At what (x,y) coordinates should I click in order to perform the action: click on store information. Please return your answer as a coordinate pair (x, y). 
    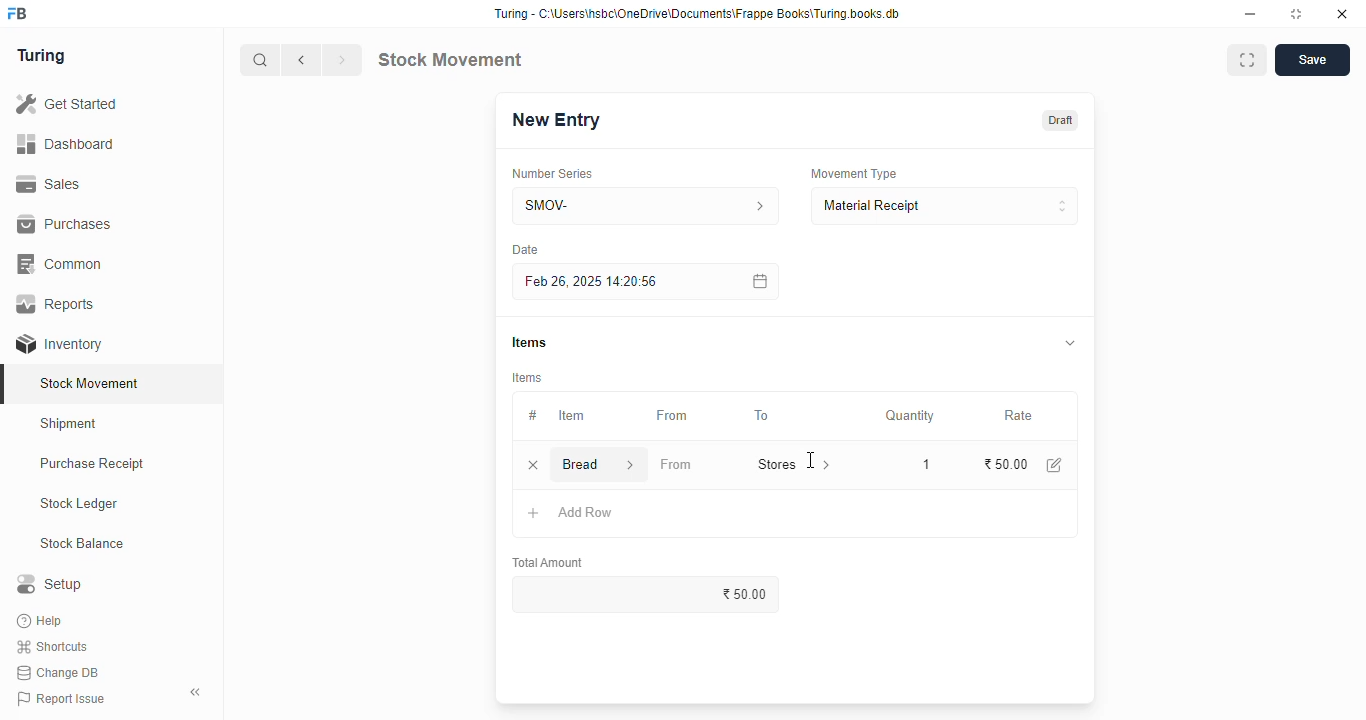
    Looking at the image, I should click on (828, 465).